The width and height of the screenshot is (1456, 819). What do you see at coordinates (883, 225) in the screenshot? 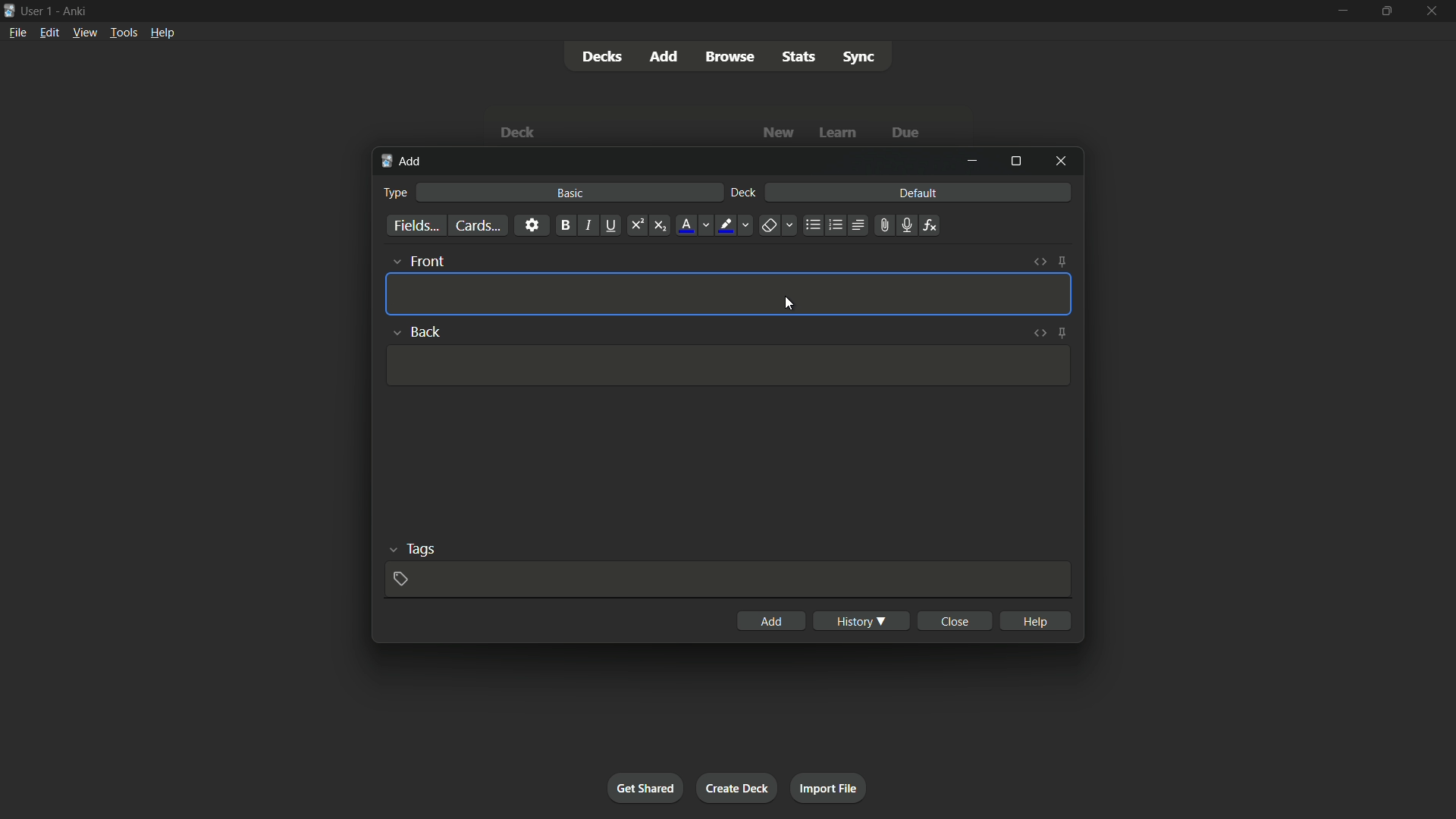
I see `attach file` at bounding box center [883, 225].